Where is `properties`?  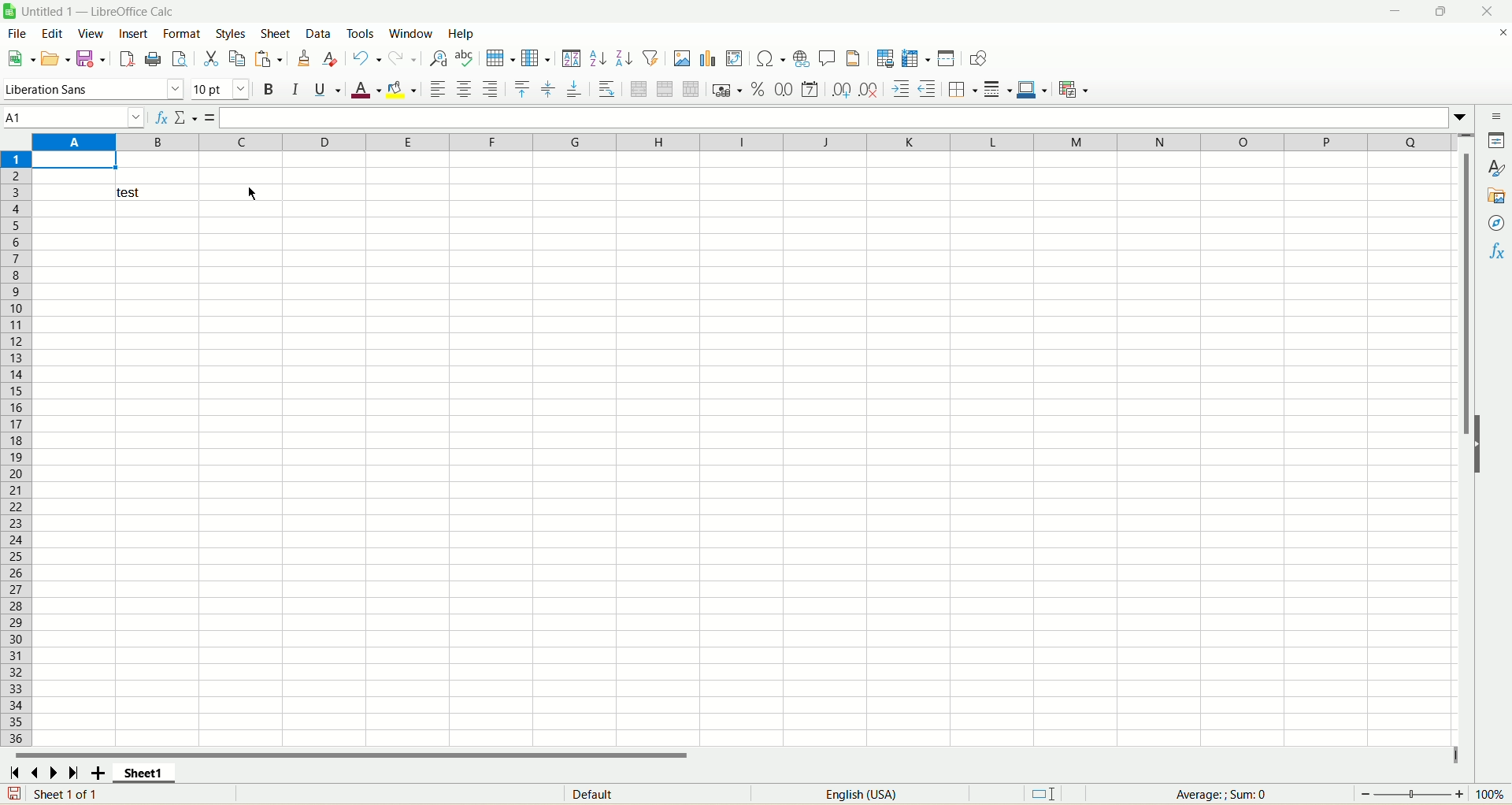 properties is located at coordinates (1495, 140).